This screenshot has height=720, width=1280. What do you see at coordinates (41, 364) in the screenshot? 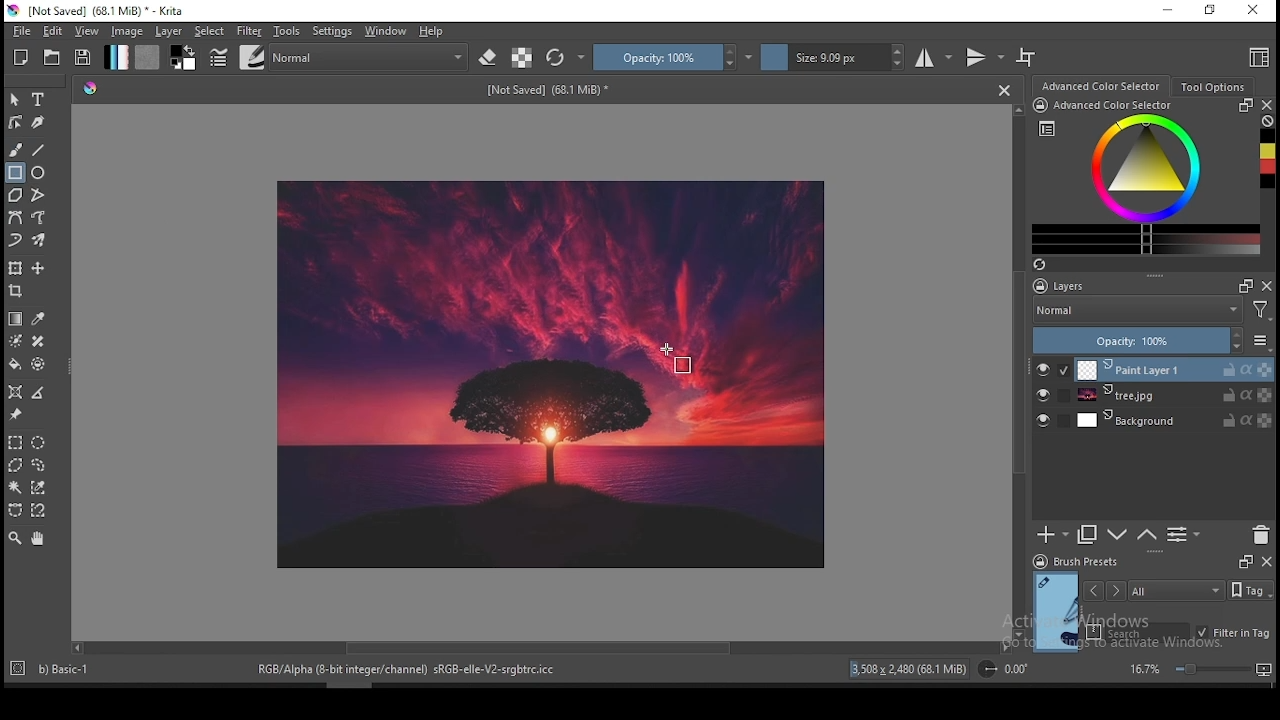
I see `enclose and fill tool` at bounding box center [41, 364].